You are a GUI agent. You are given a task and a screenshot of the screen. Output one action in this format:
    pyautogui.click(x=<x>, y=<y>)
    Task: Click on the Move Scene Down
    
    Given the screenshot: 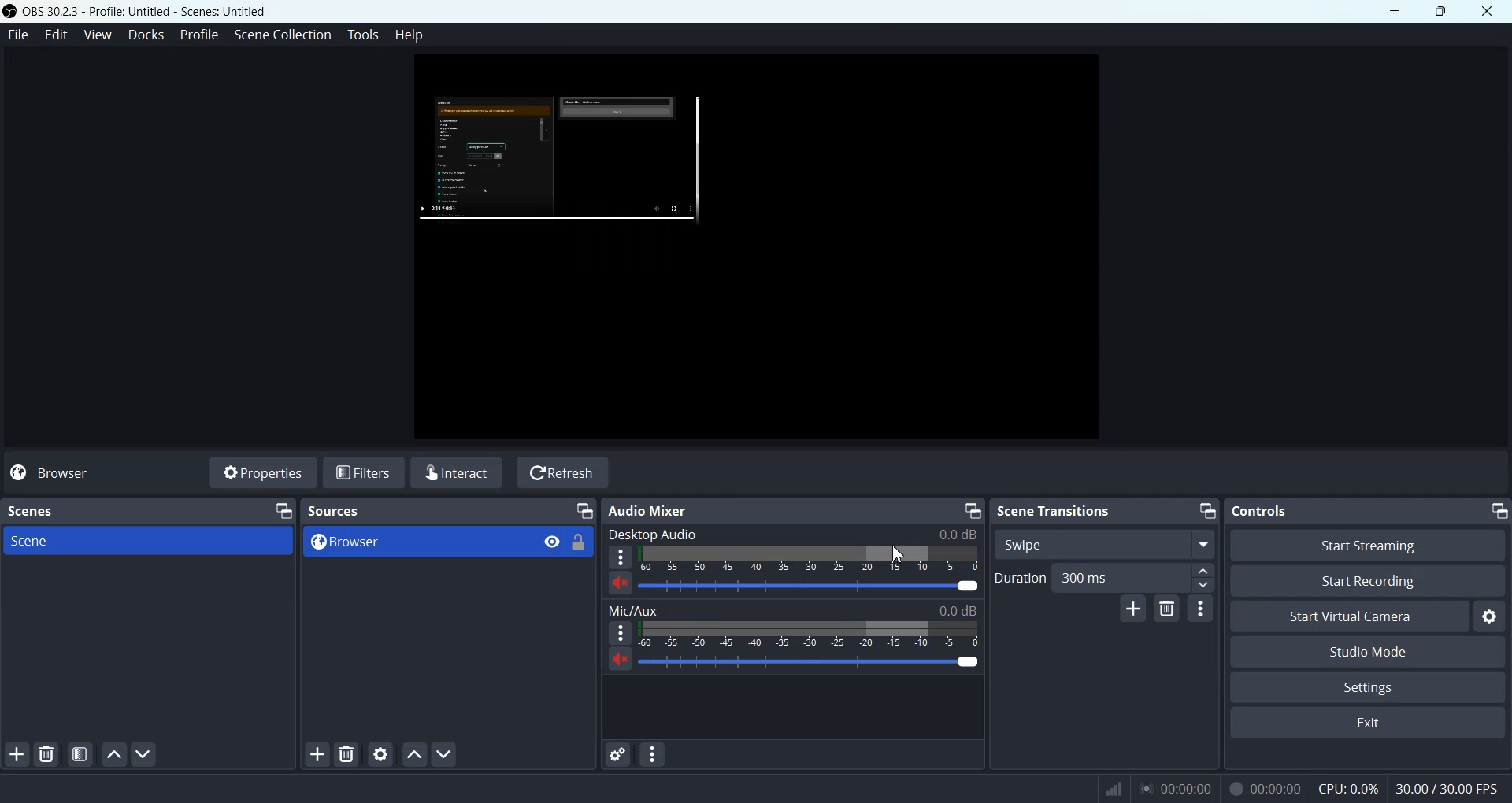 What is the action you would take?
    pyautogui.click(x=447, y=755)
    